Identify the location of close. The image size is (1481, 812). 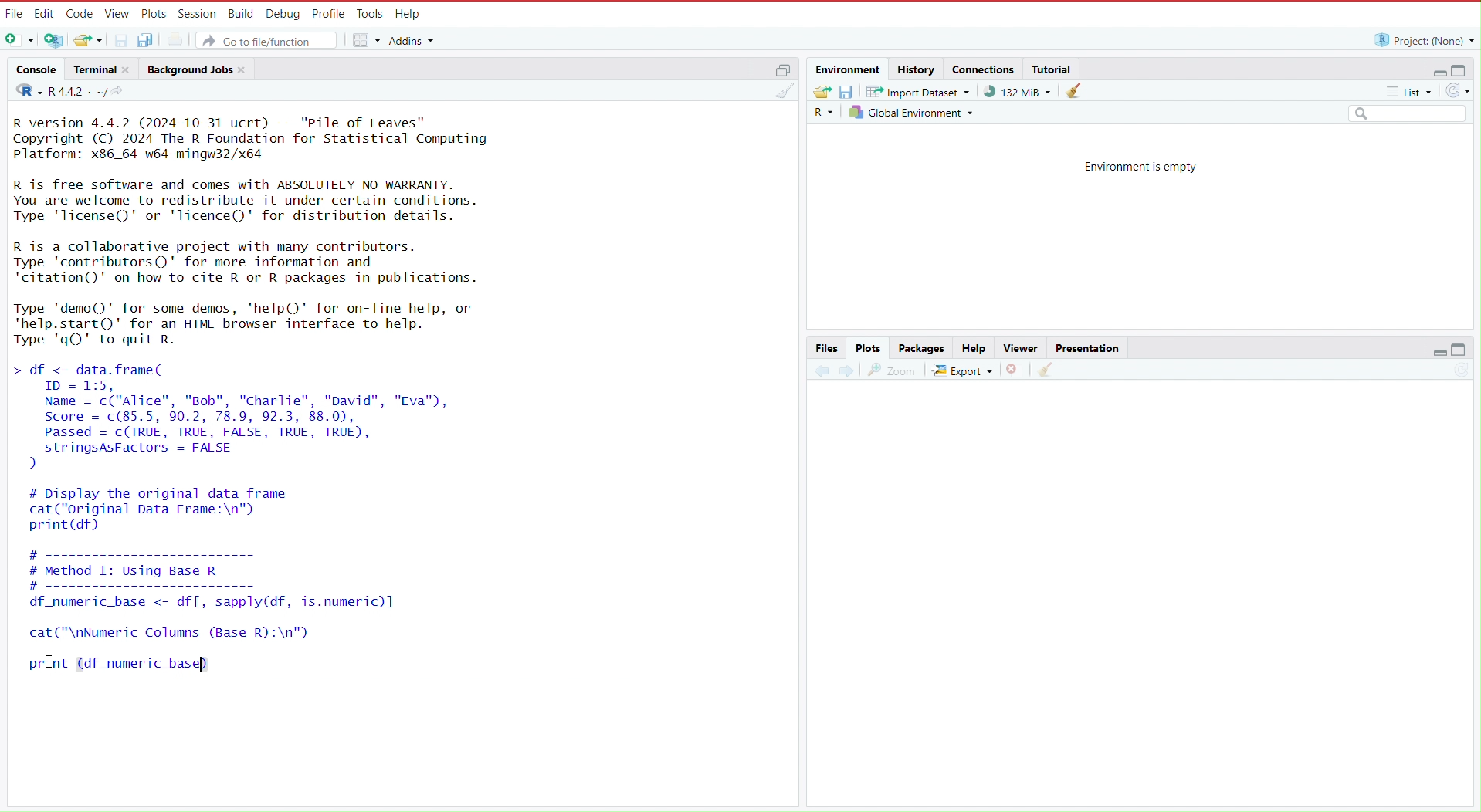
(247, 69).